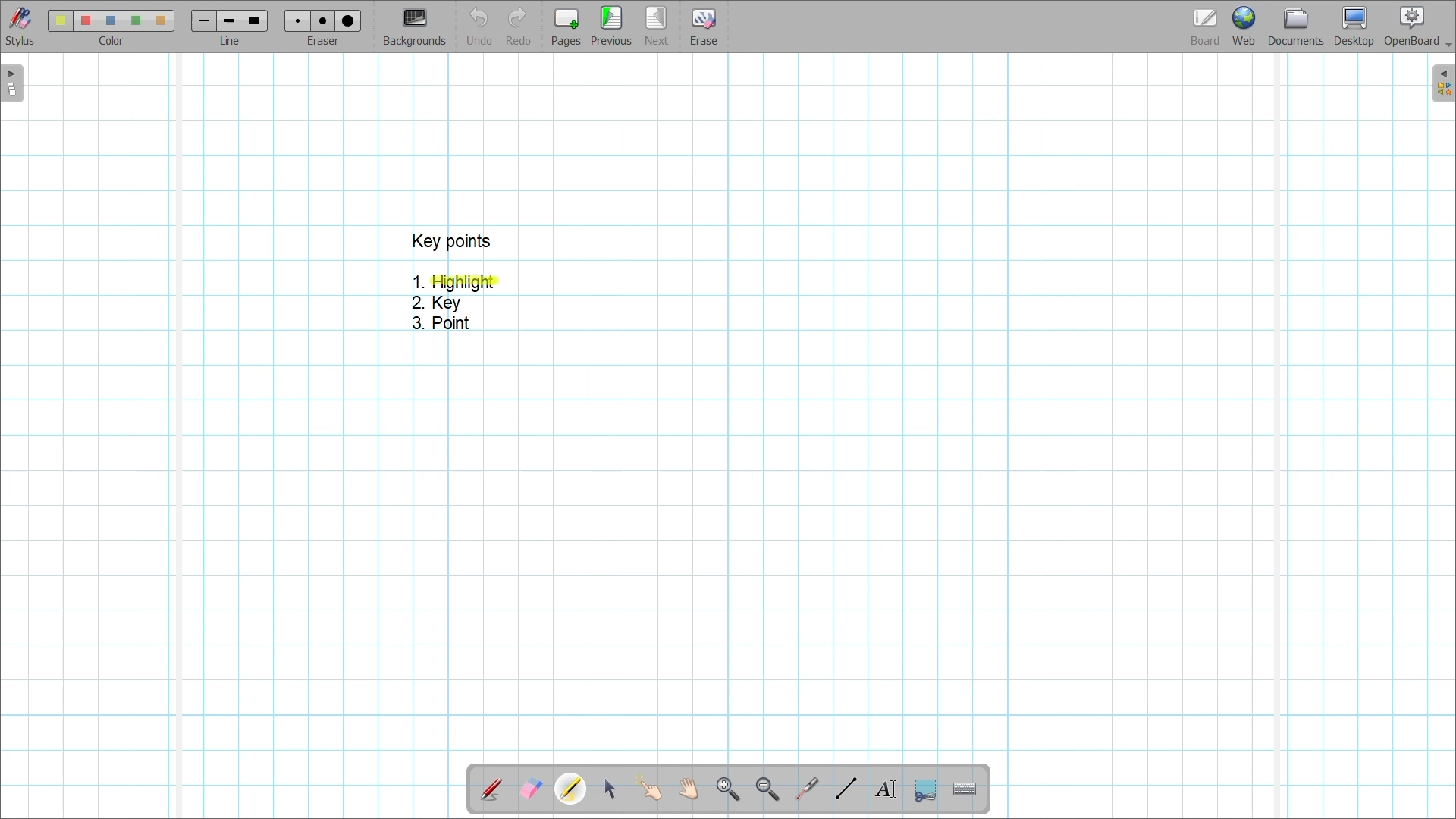 The height and width of the screenshot is (819, 1456). Describe the element at coordinates (1443, 83) in the screenshot. I see `Right sidebar` at that location.